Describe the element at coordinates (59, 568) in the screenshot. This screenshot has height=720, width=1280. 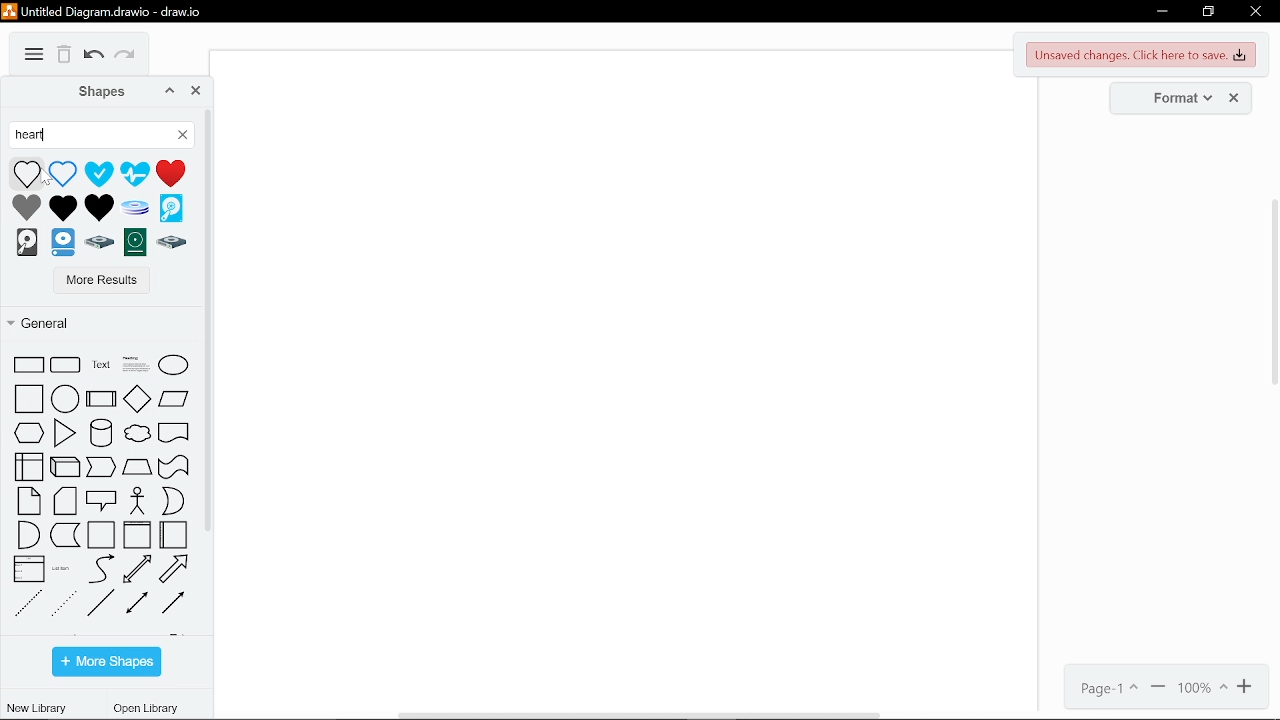
I see `list item` at that location.